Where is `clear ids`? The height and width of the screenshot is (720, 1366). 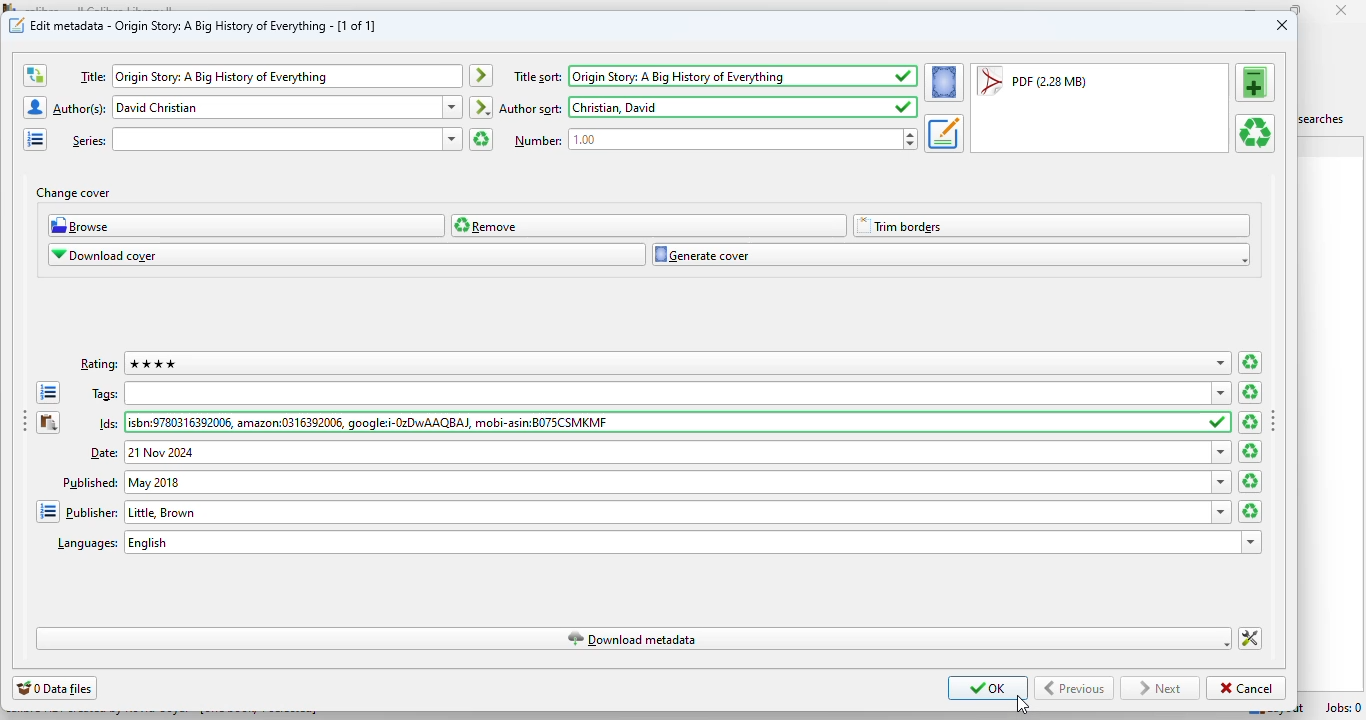
clear ids is located at coordinates (1248, 422).